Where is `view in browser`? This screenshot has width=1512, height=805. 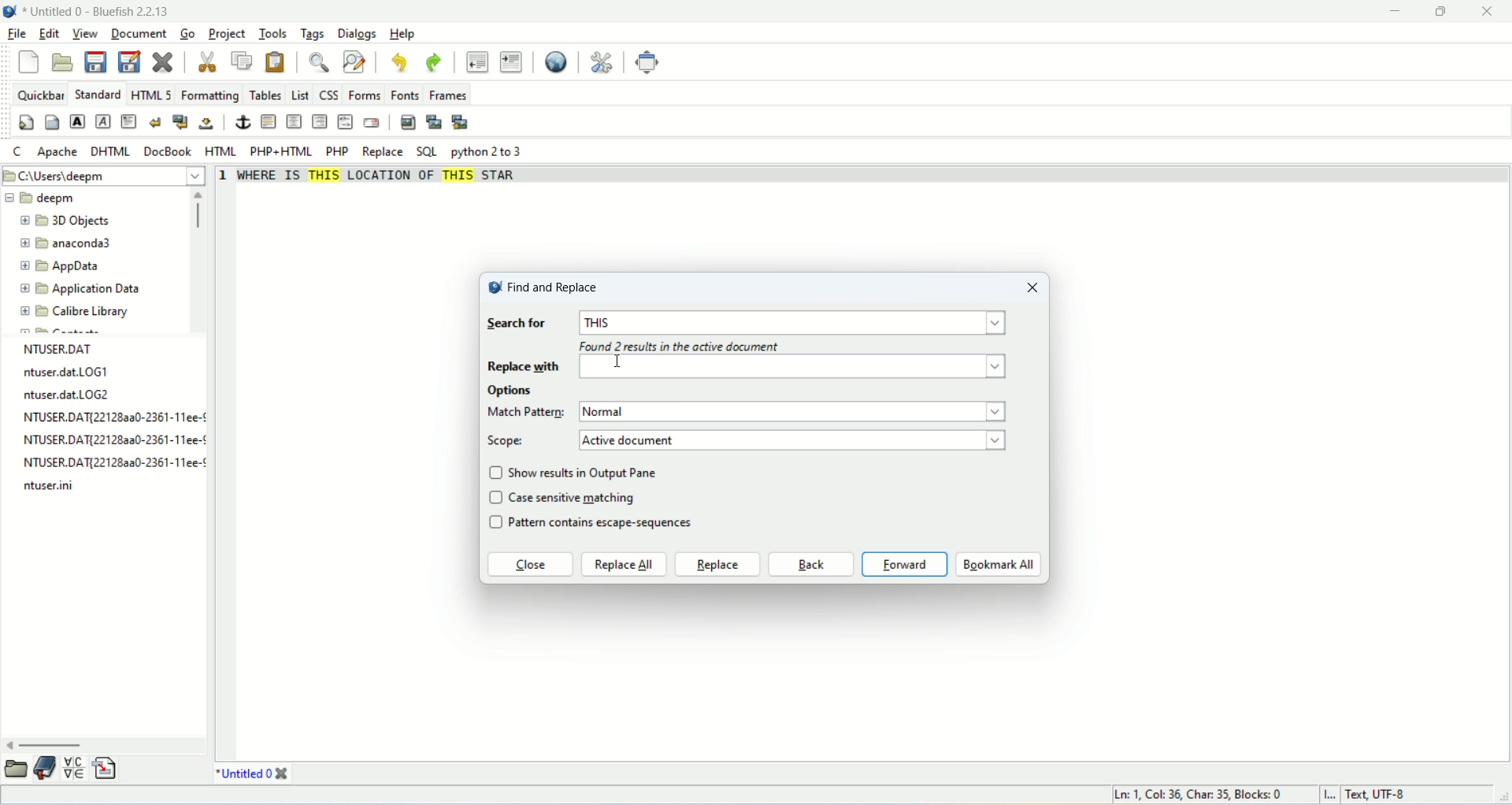
view in browser is located at coordinates (555, 63).